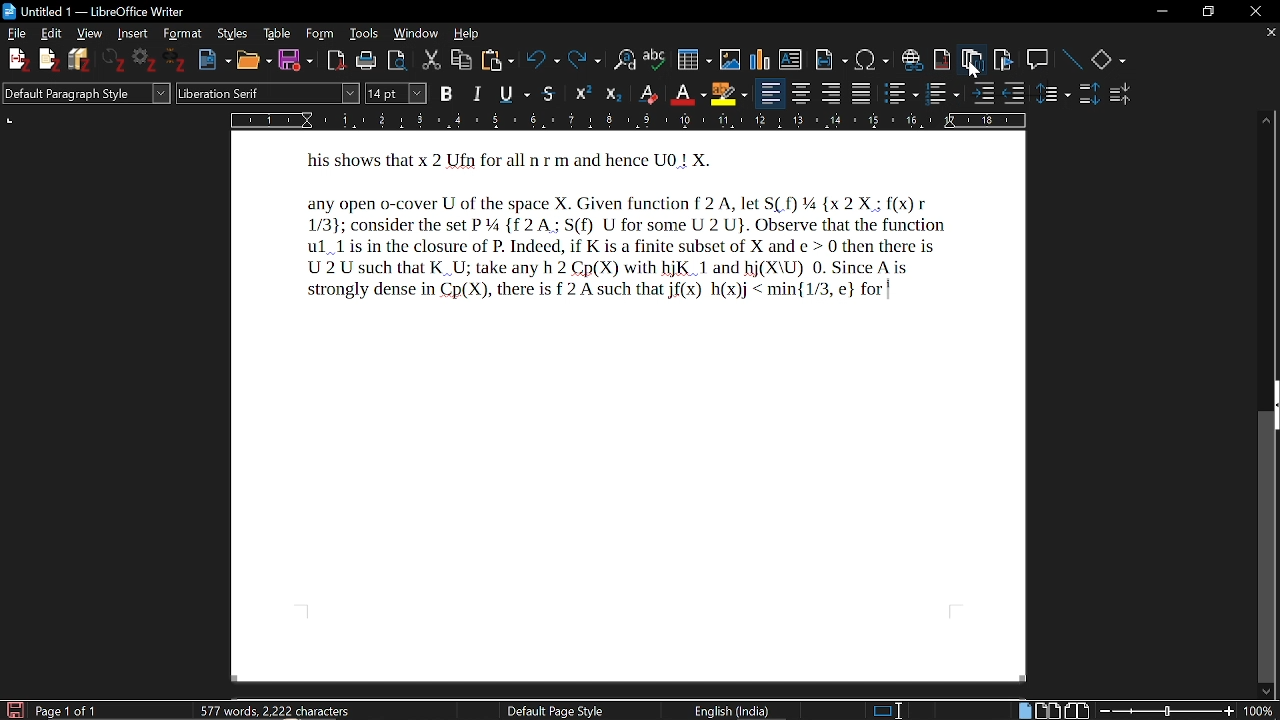  What do you see at coordinates (16, 34) in the screenshot?
I see `File` at bounding box center [16, 34].